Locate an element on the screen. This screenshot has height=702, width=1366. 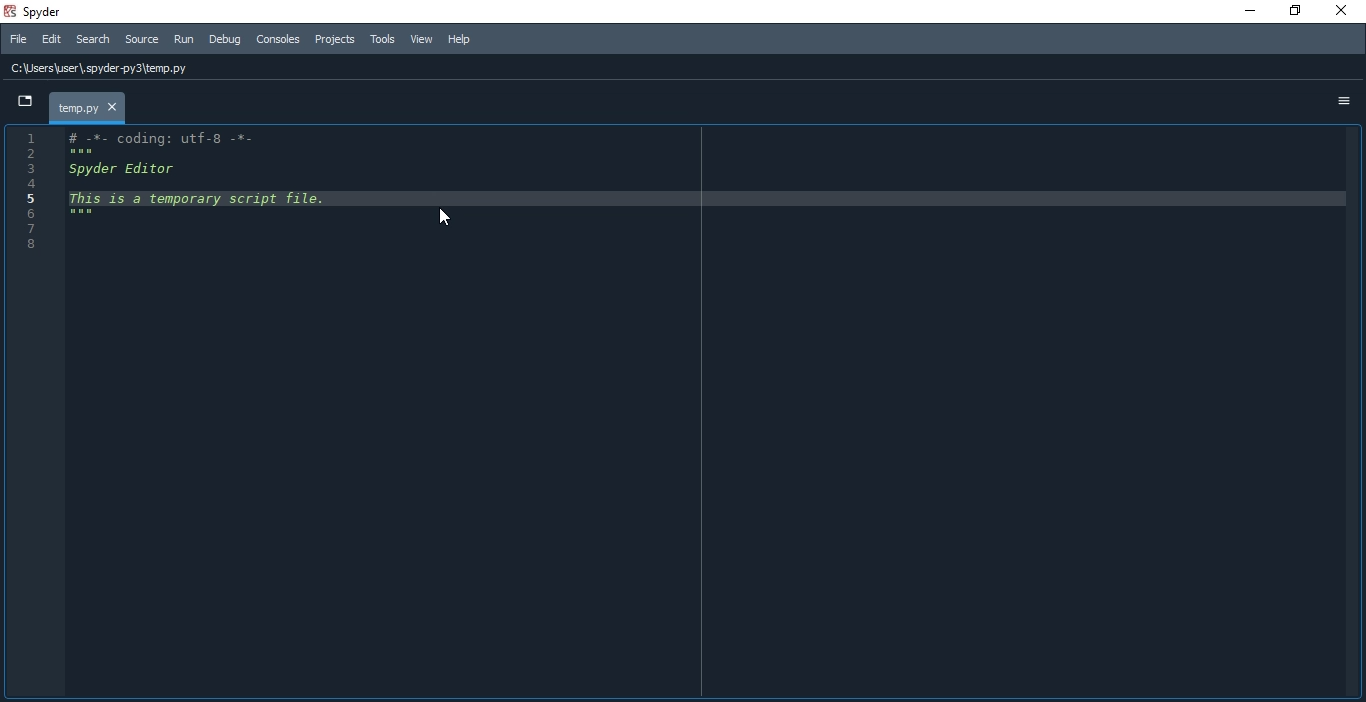
cursor is located at coordinates (433, 218).